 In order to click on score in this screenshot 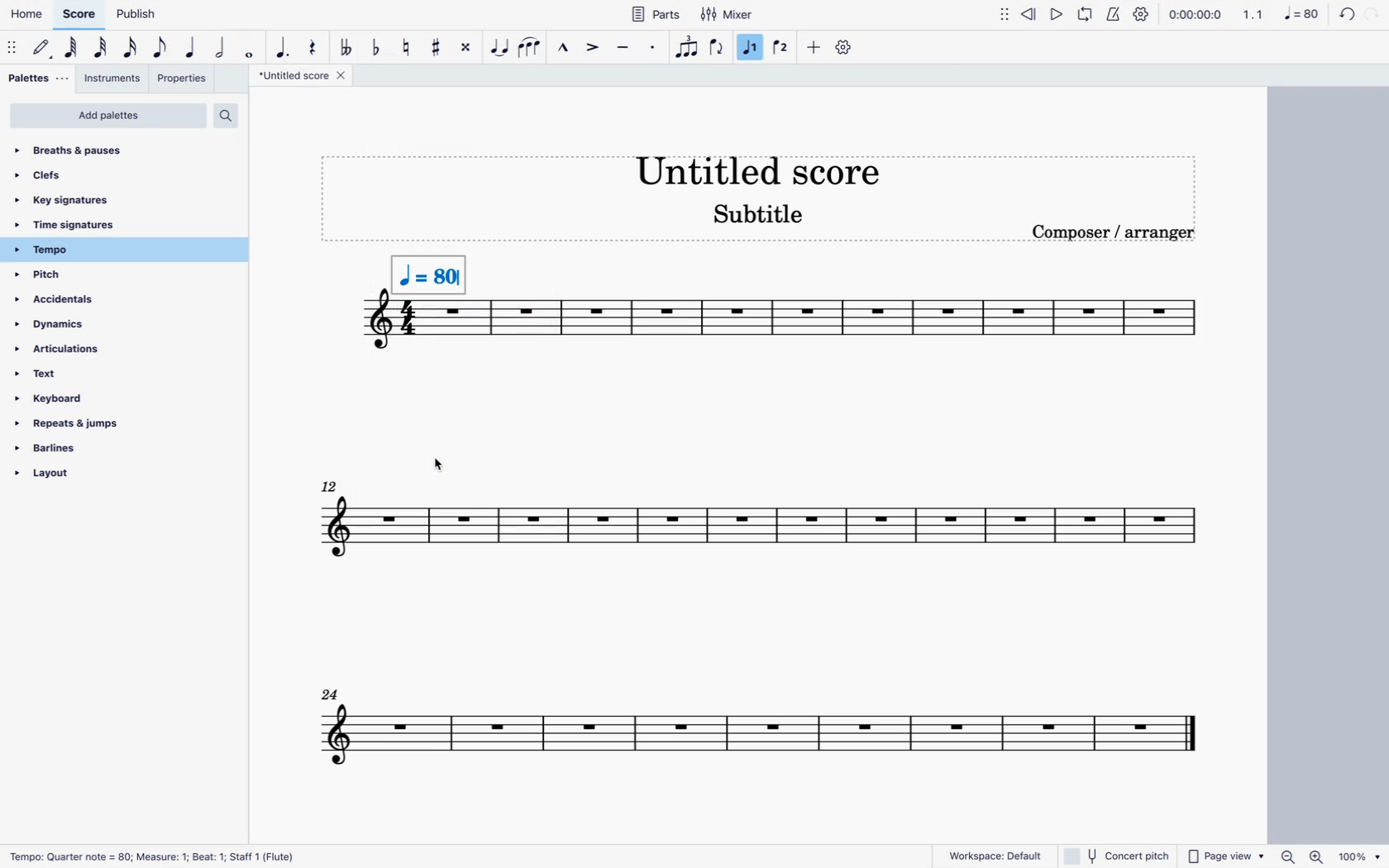, I will do `click(80, 15)`.